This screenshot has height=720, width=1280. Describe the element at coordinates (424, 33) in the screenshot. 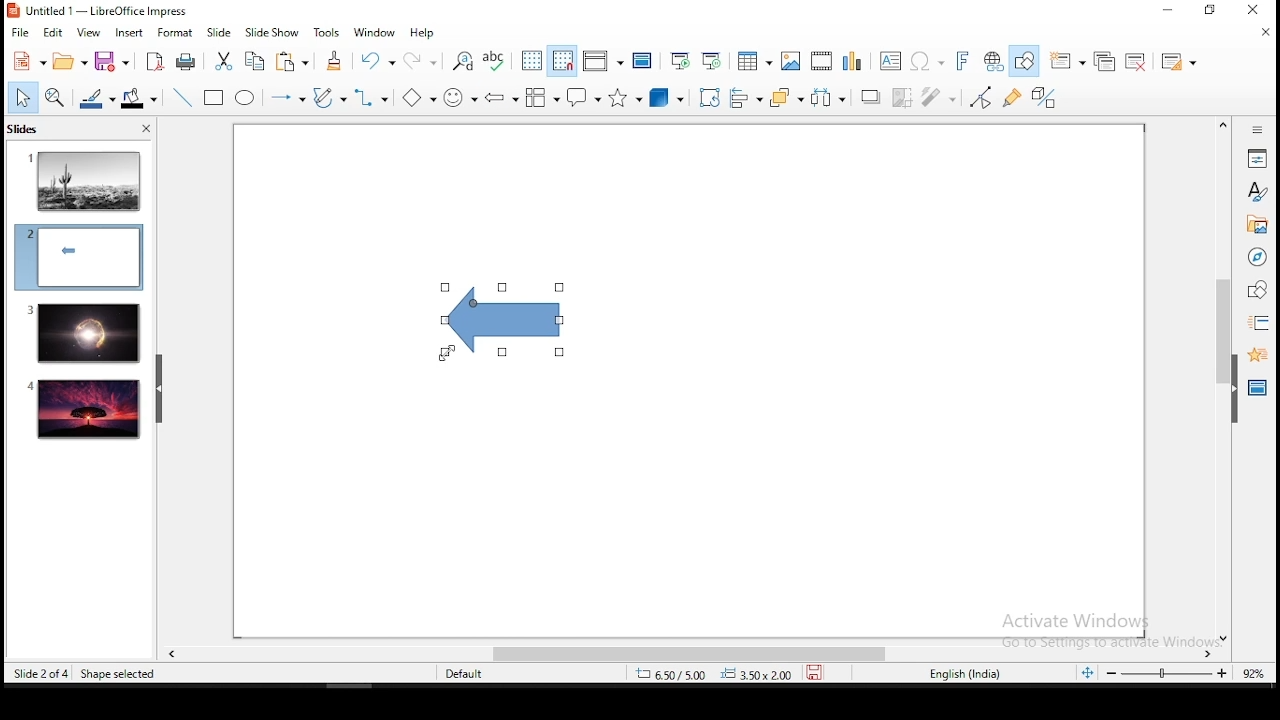

I see `help` at that location.